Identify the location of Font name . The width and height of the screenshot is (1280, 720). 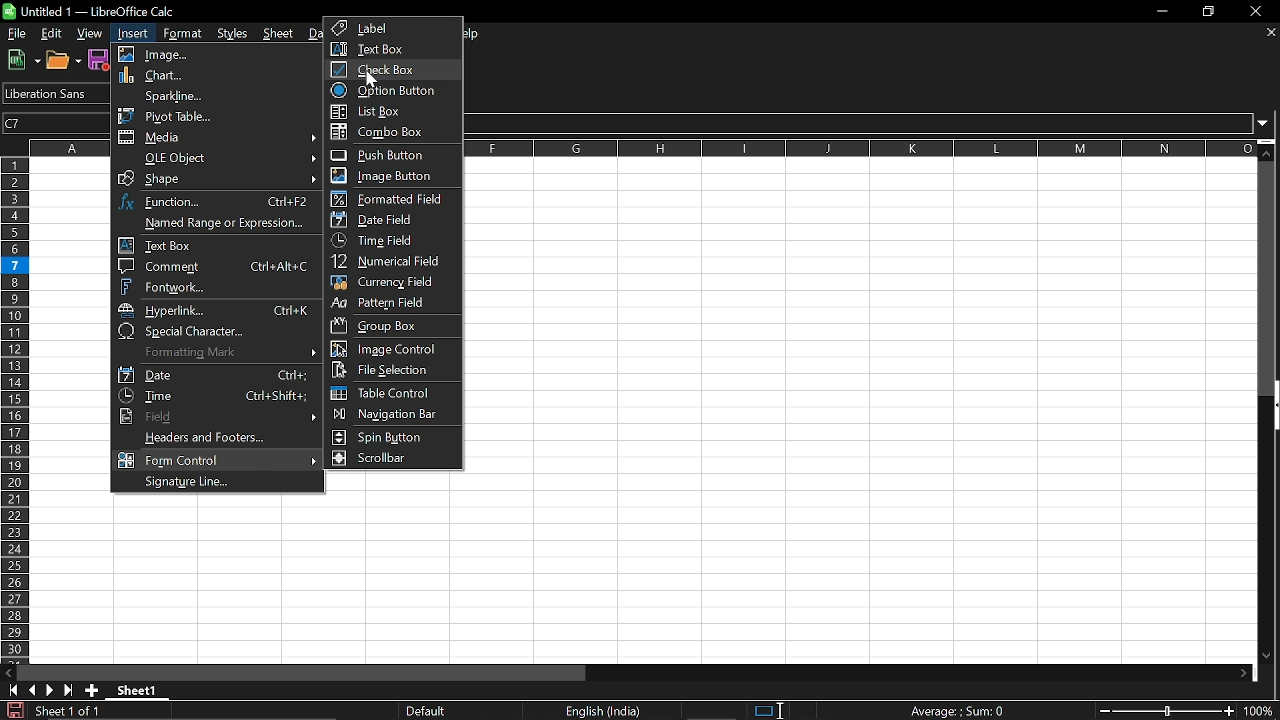
(53, 93).